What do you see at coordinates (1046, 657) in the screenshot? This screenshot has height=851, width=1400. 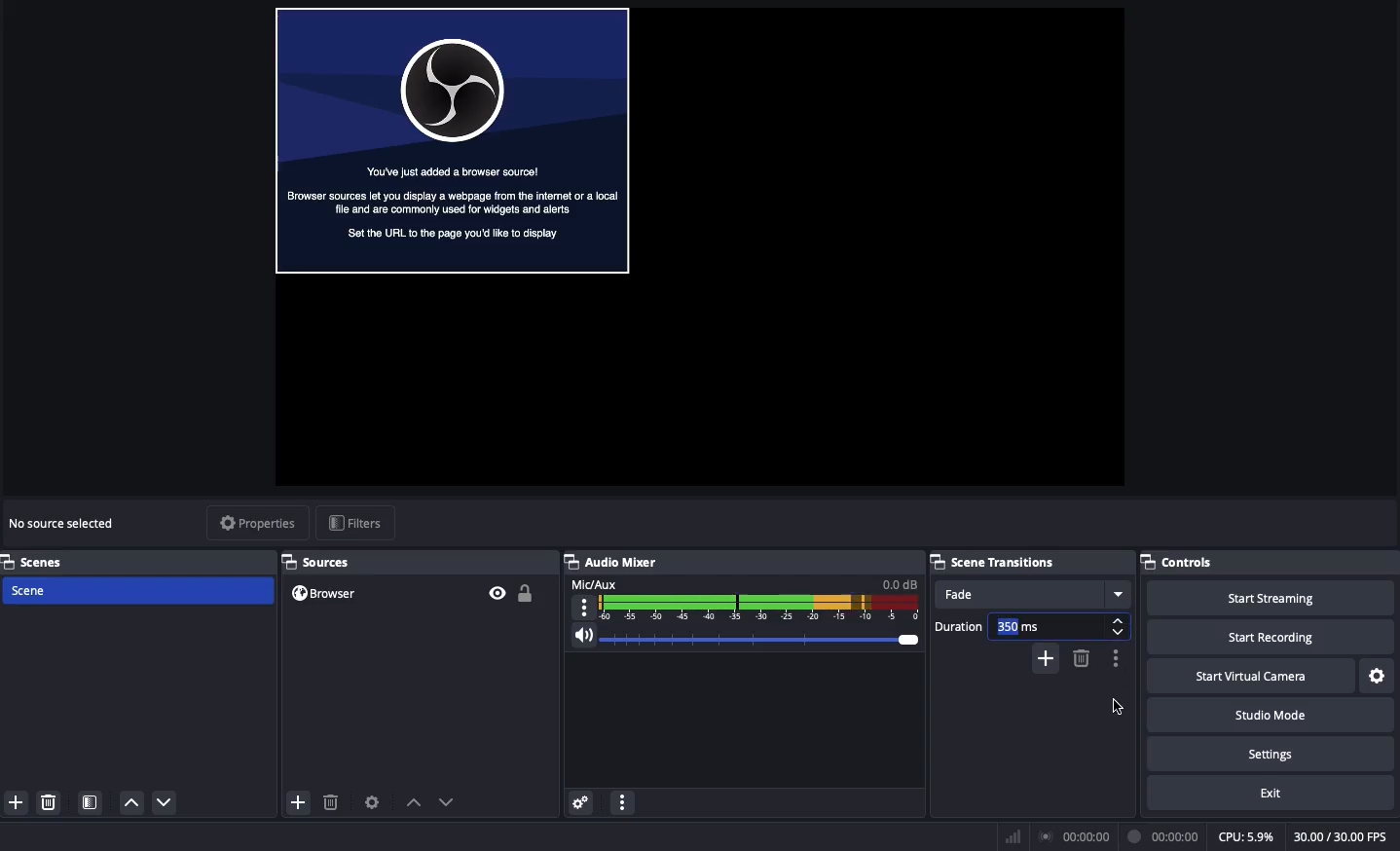 I see `add` at bounding box center [1046, 657].